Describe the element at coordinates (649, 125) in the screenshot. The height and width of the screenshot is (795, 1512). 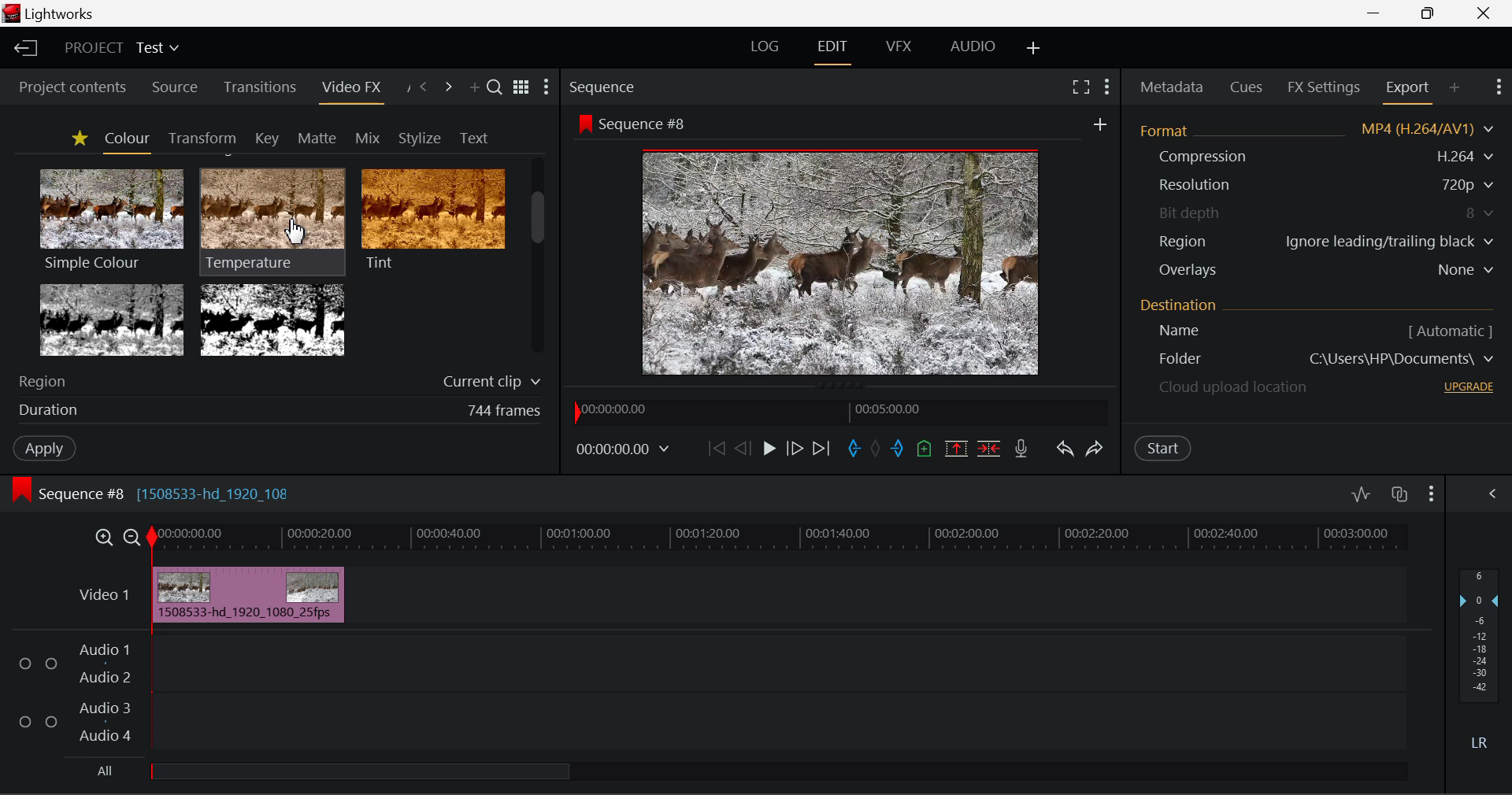
I see `Sequence #8` at that location.